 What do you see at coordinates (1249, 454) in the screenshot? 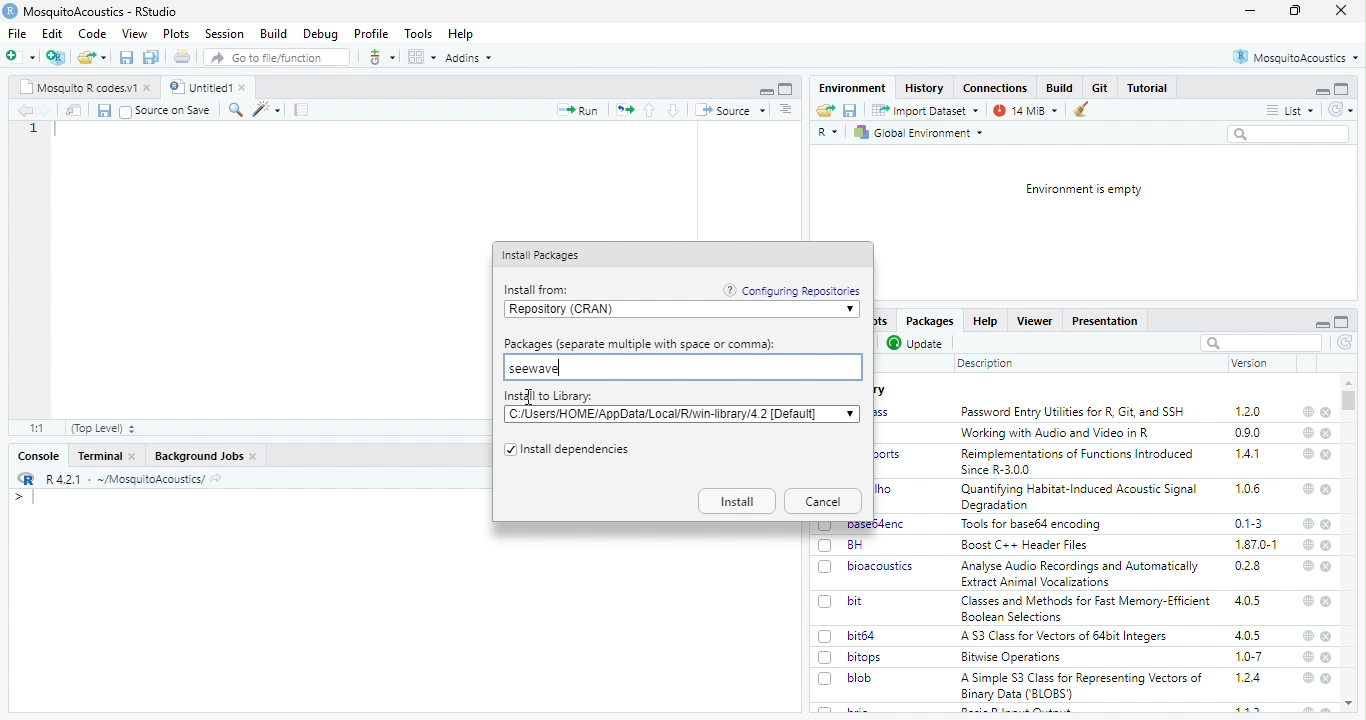
I see `141` at bounding box center [1249, 454].